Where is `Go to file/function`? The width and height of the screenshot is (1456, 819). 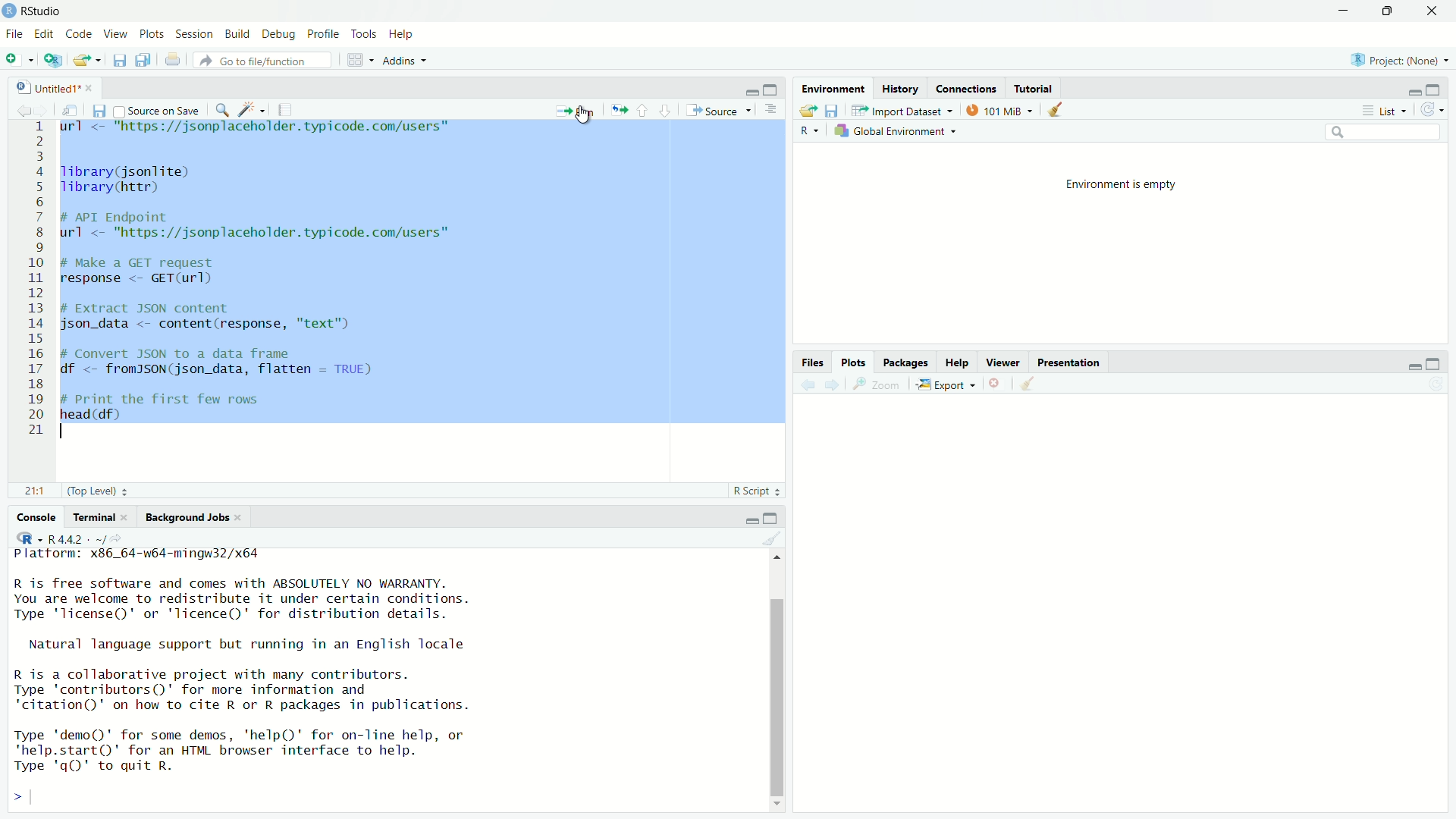
Go to file/function is located at coordinates (267, 59).